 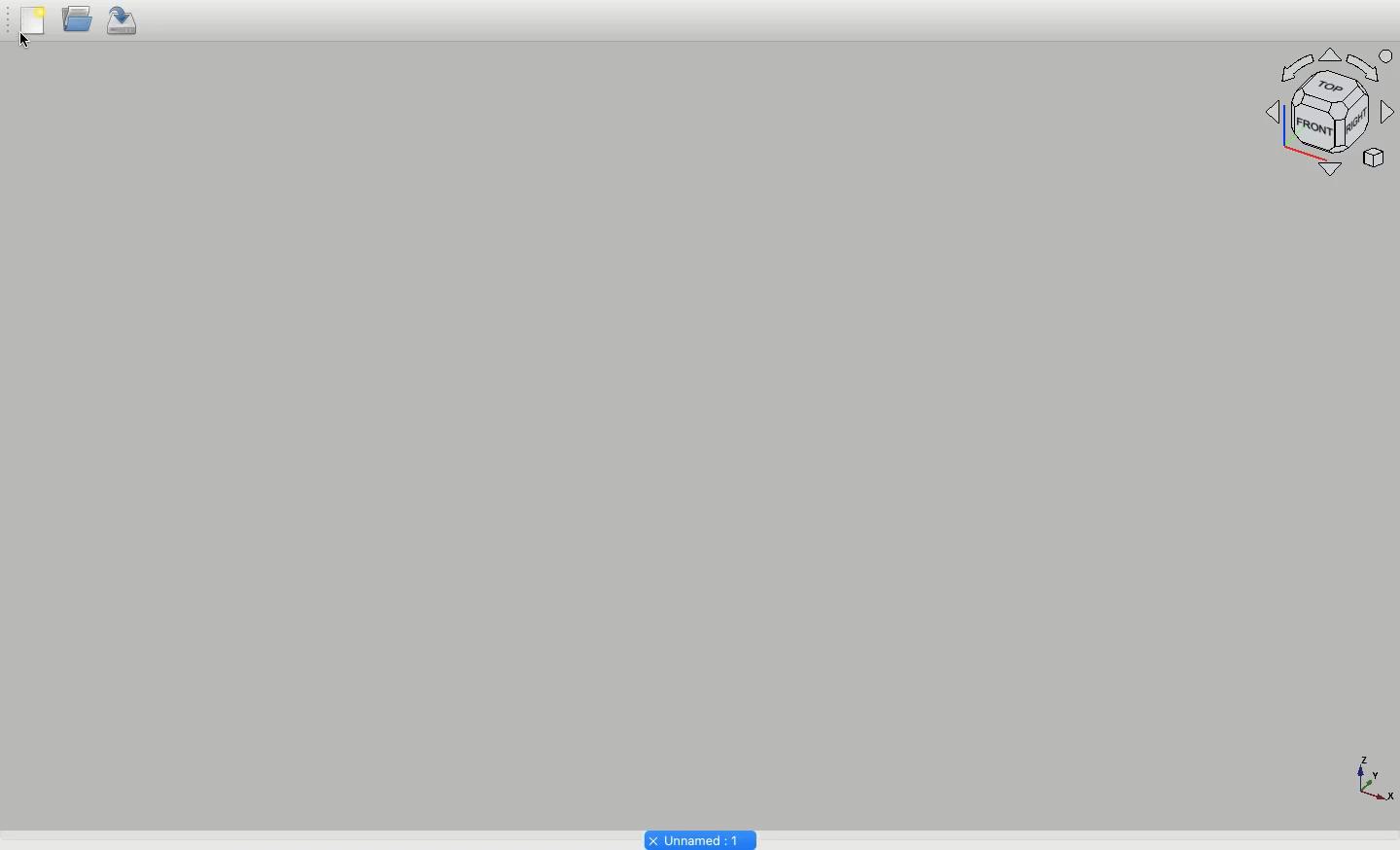 What do you see at coordinates (76, 23) in the screenshot?
I see `Open` at bounding box center [76, 23].